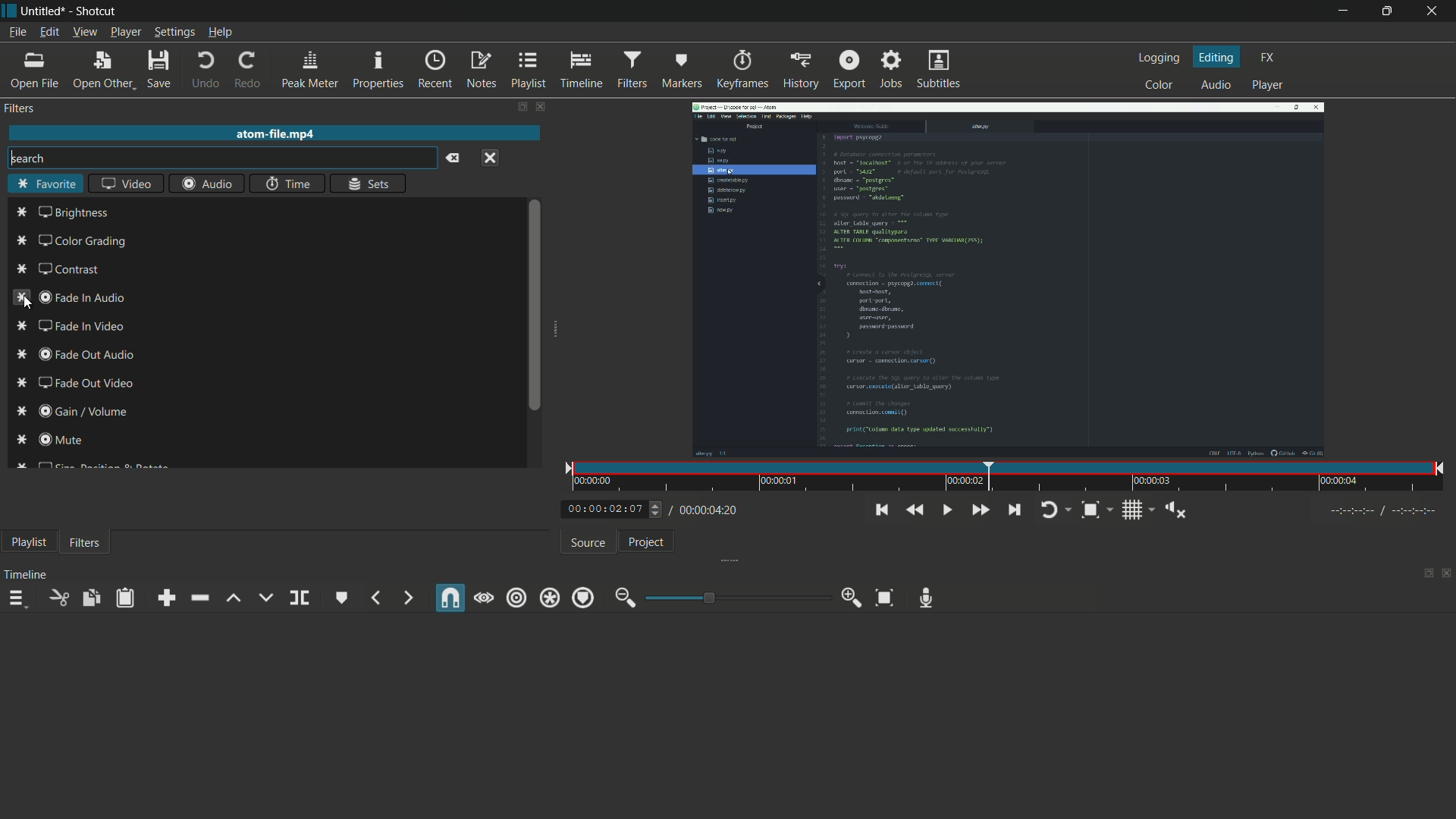 The image size is (1456, 819). I want to click on notes, so click(480, 71).